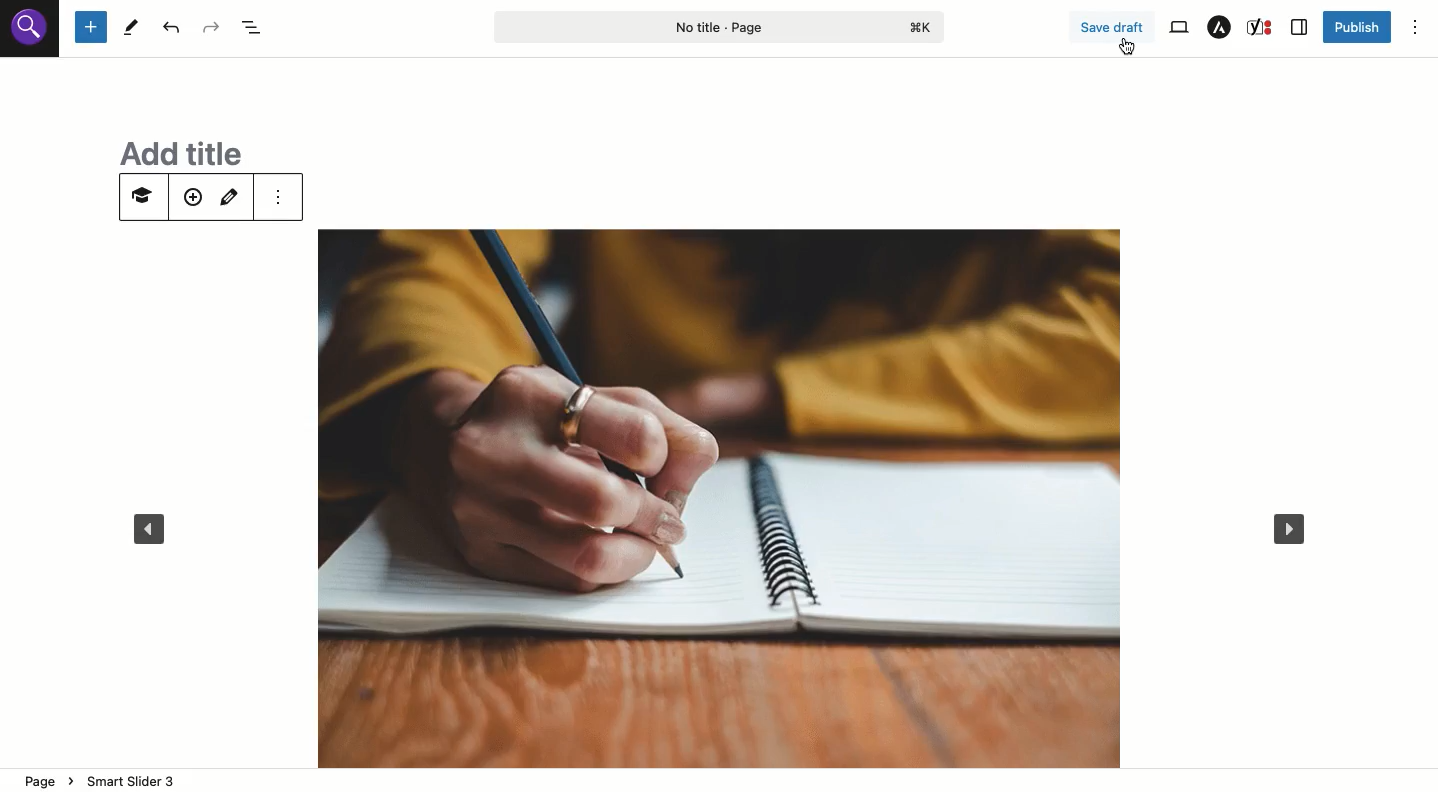 The height and width of the screenshot is (792, 1438). What do you see at coordinates (1357, 29) in the screenshot?
I see `Publish` at bounding box center [1357, 29].